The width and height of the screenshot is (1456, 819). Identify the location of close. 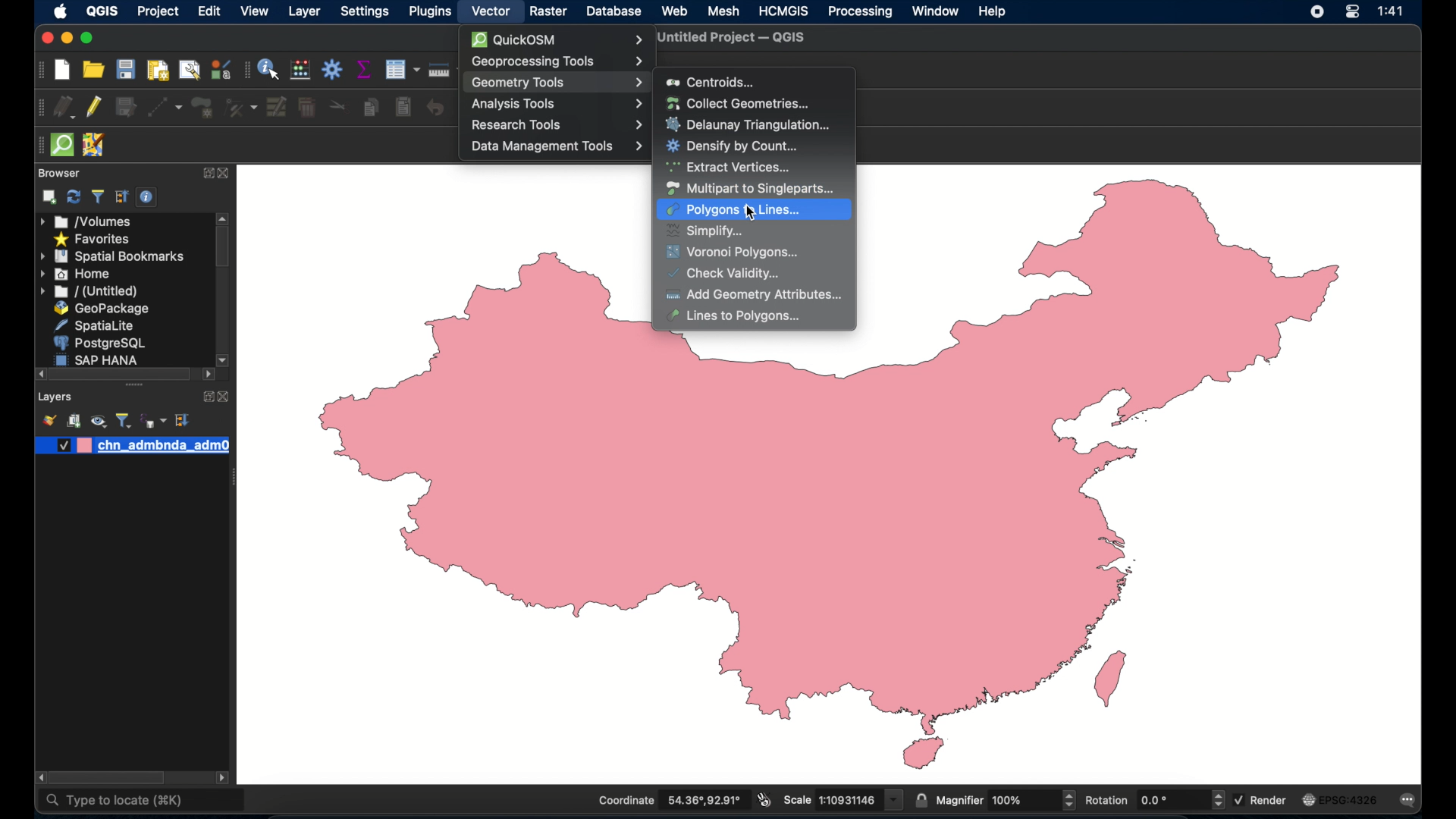
(224, 174).